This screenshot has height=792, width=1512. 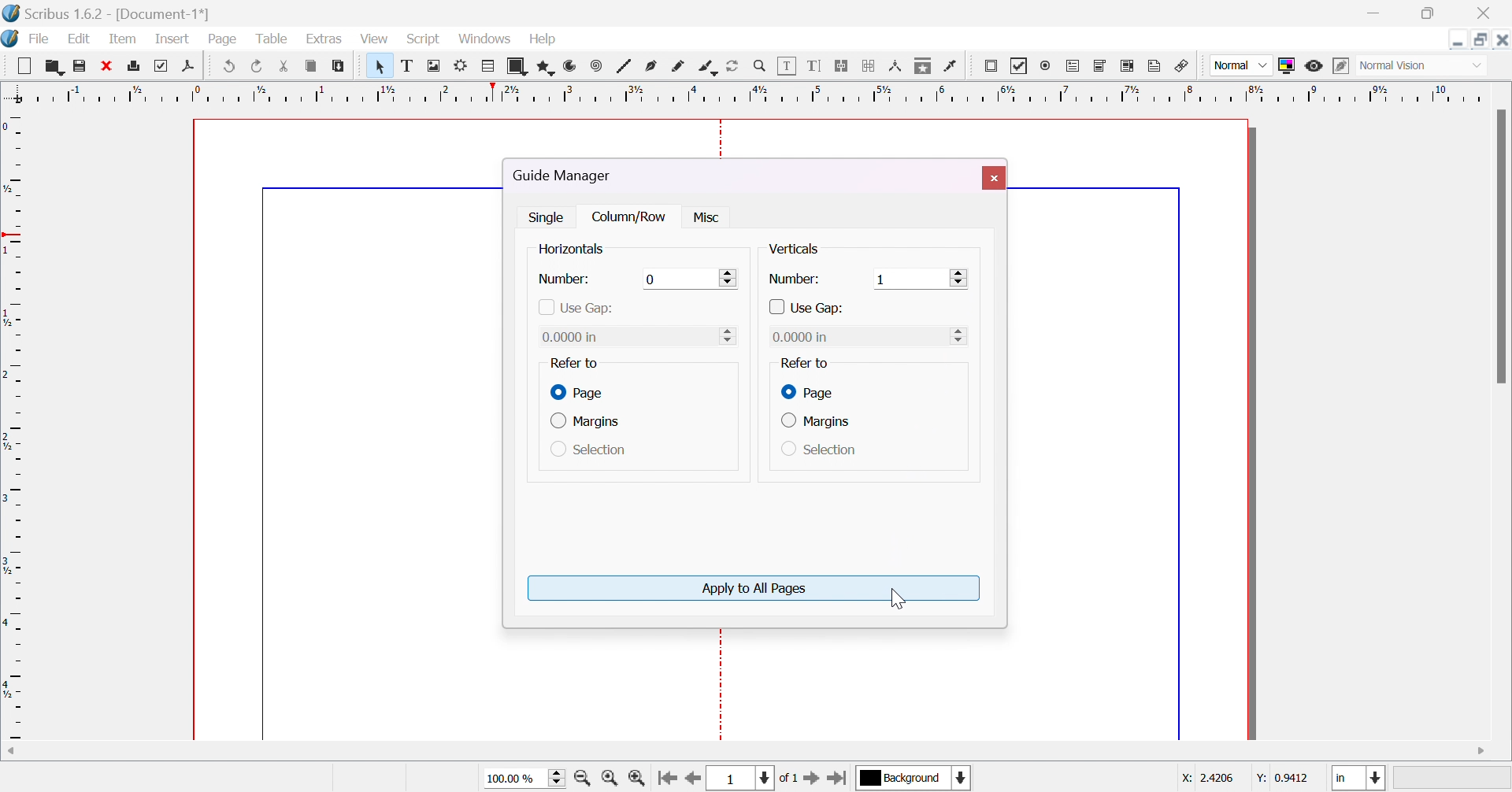 What do you see at coordinates (681, 68) in the screenshot?
I see `freehand line` at bounding box center [681, 68].